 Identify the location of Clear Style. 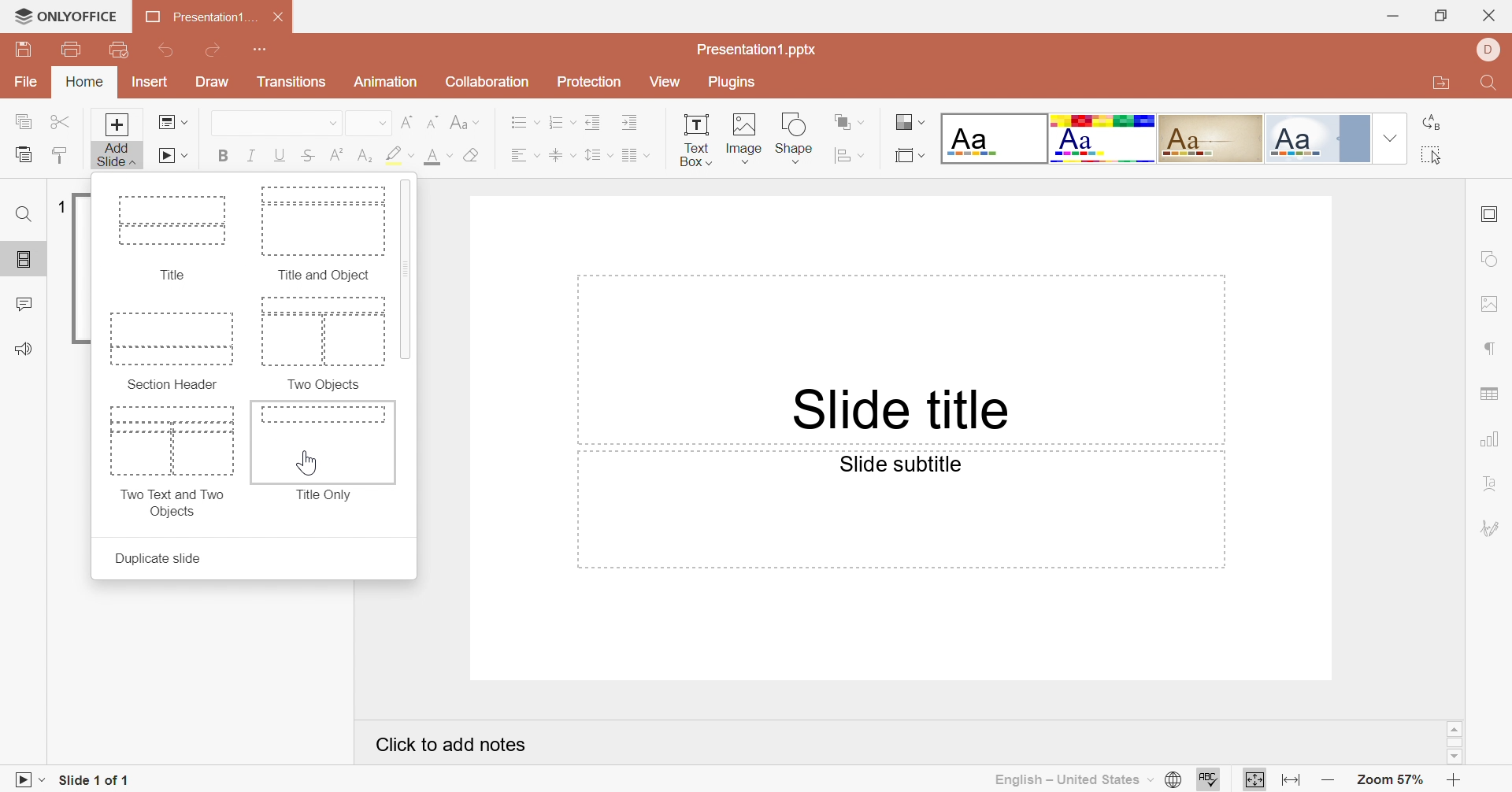
(473, 154).